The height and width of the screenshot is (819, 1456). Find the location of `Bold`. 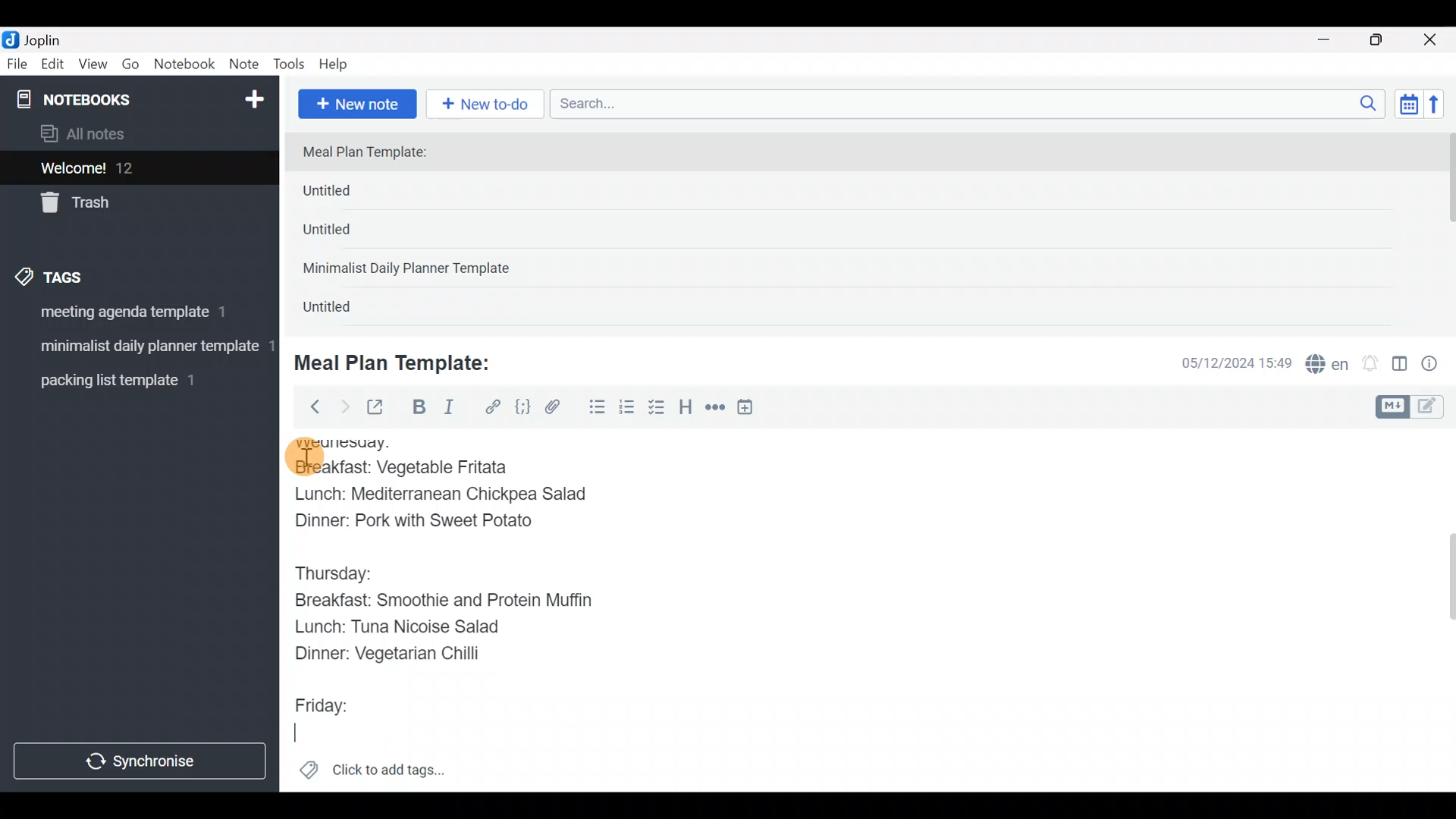

Bold is located at coordinates (418, 409).